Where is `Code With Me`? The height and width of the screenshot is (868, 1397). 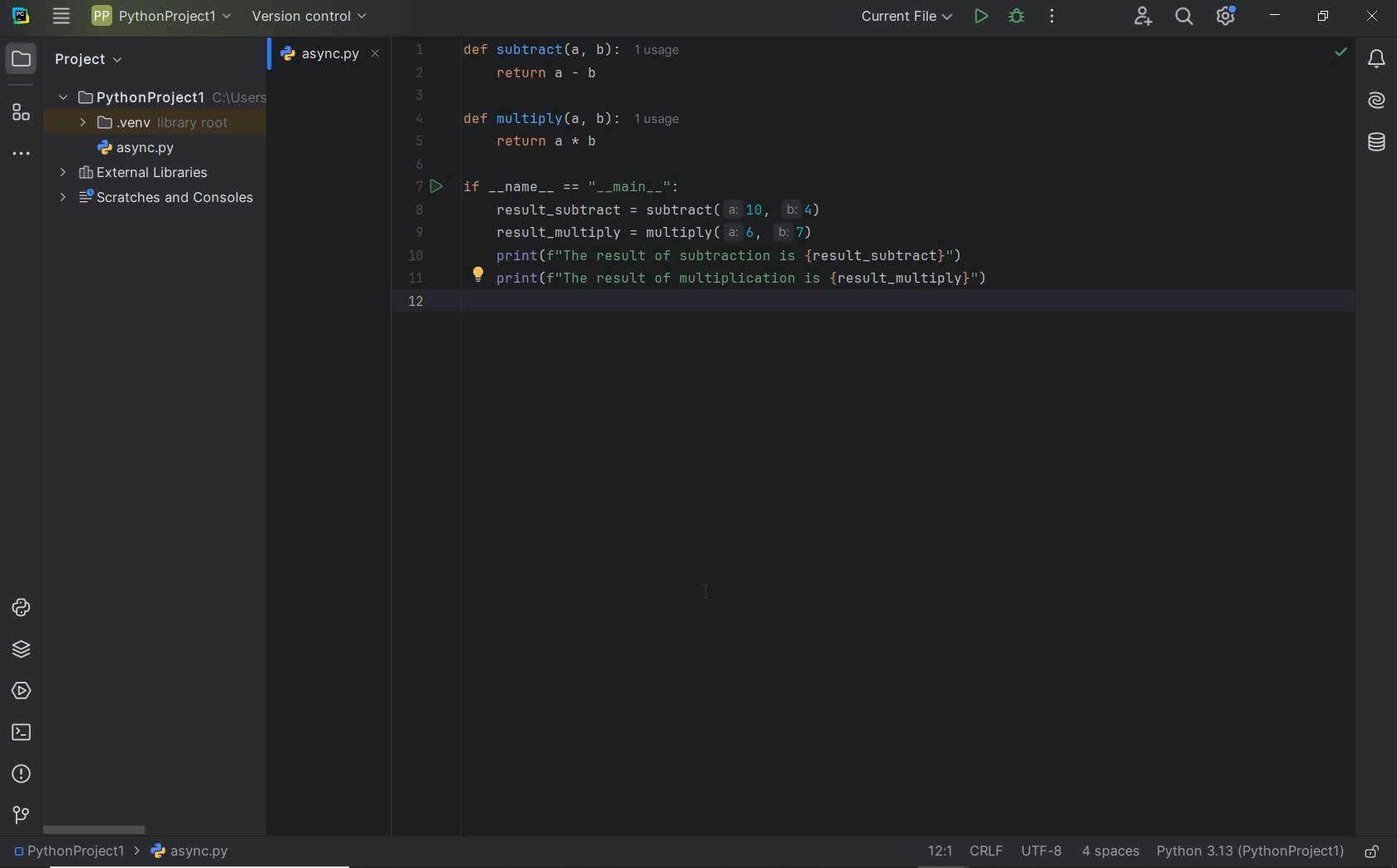
Code With Me is located at coordinates (1143, 17).